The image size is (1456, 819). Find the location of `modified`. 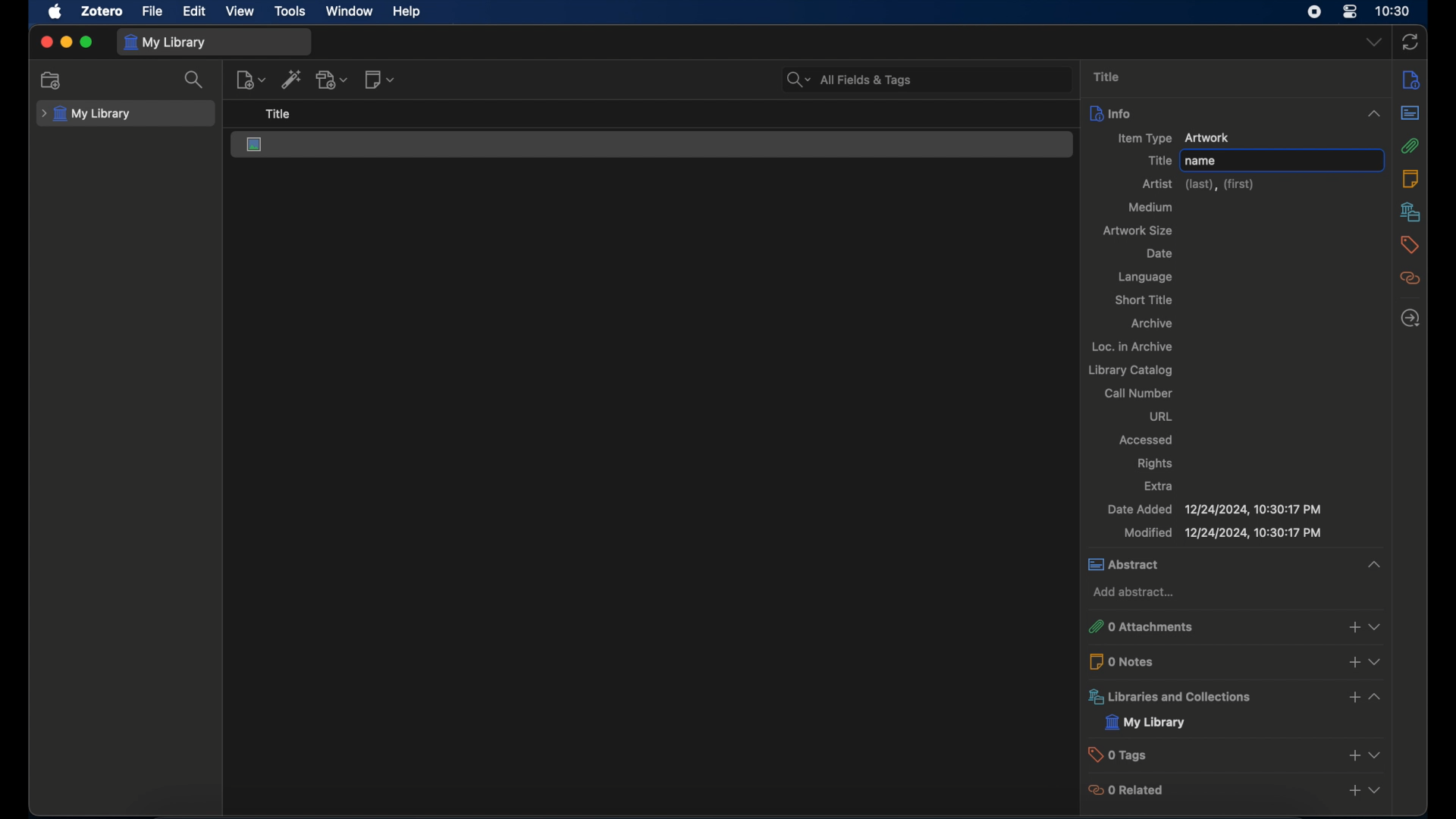

modified is located at coordinates (1224, 534).